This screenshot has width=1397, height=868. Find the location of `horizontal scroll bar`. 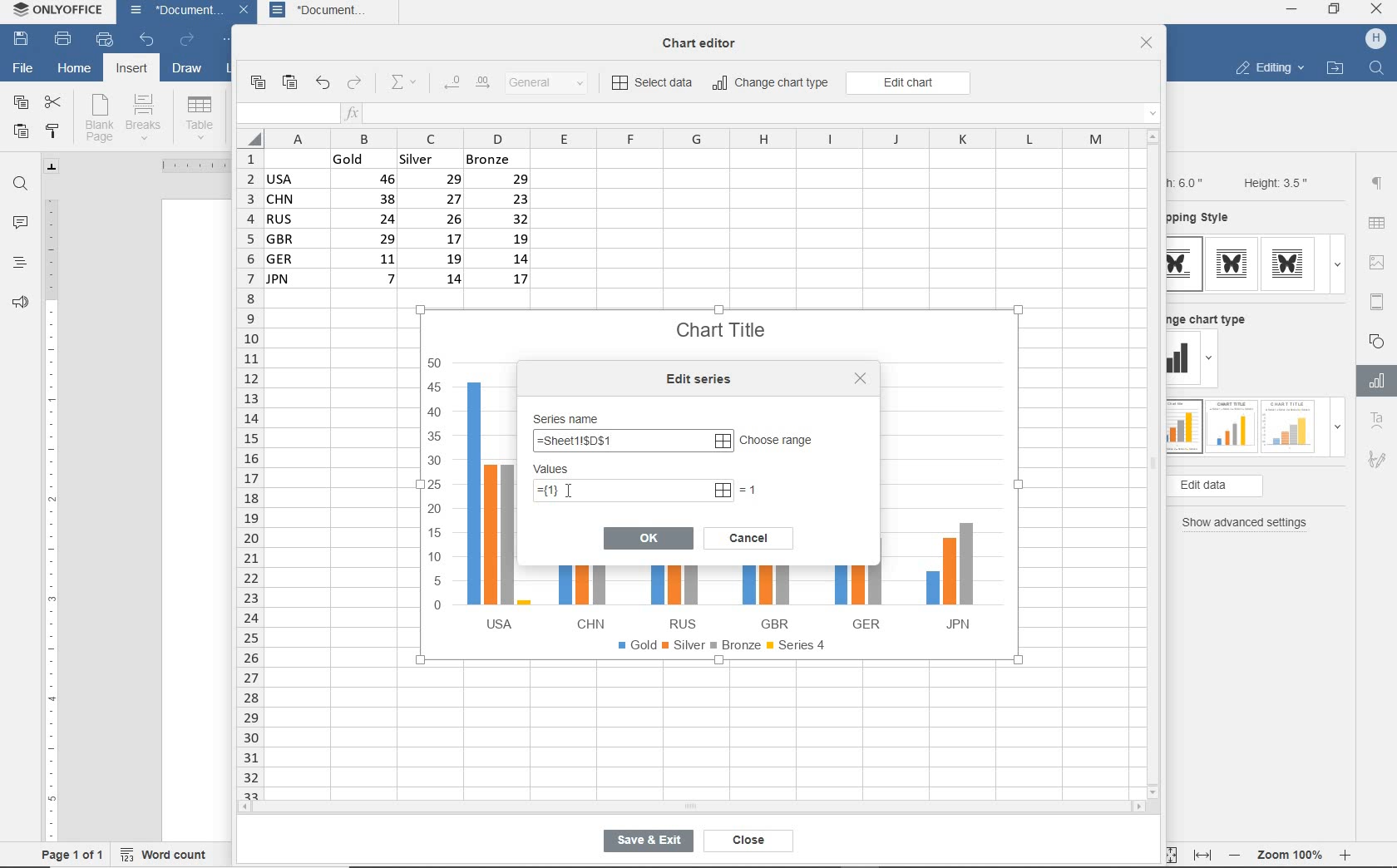

horizontal scroll bar is located at coordinates (690, 806).